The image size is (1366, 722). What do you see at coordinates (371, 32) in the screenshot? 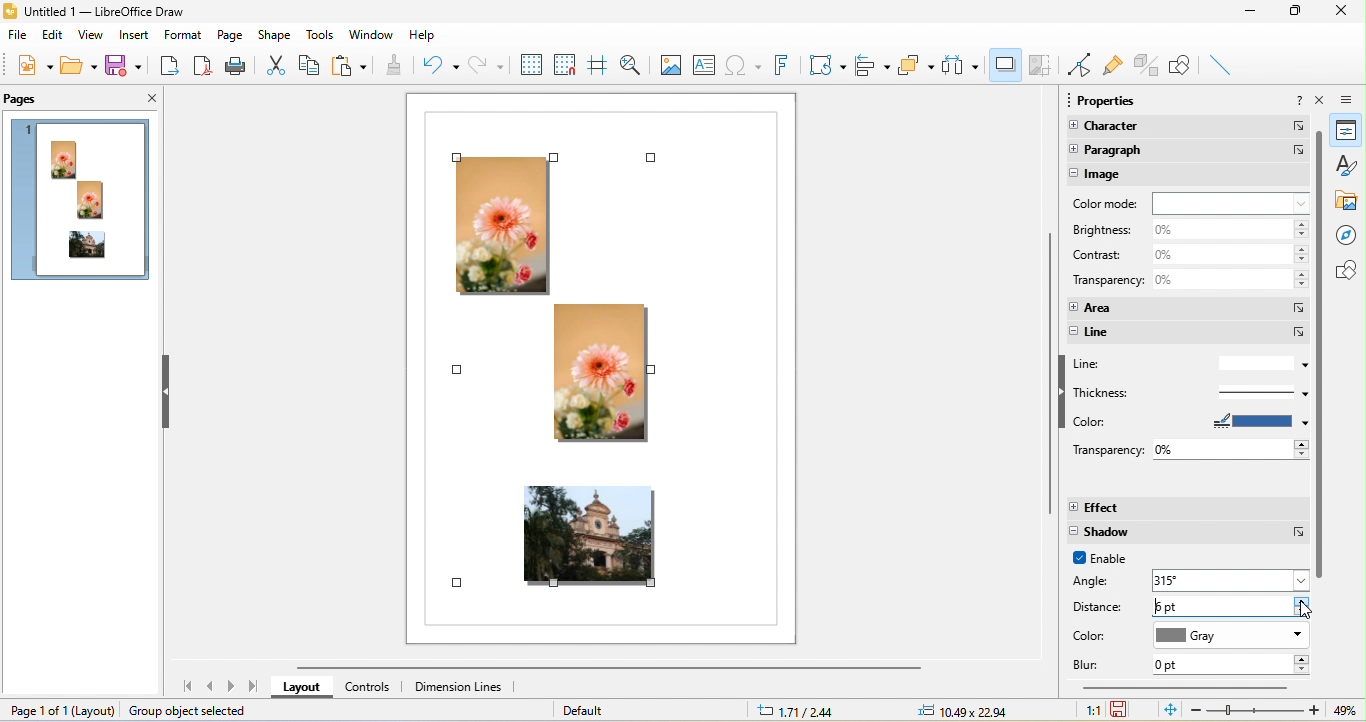
I see `window` at bounding box center [371, 32].